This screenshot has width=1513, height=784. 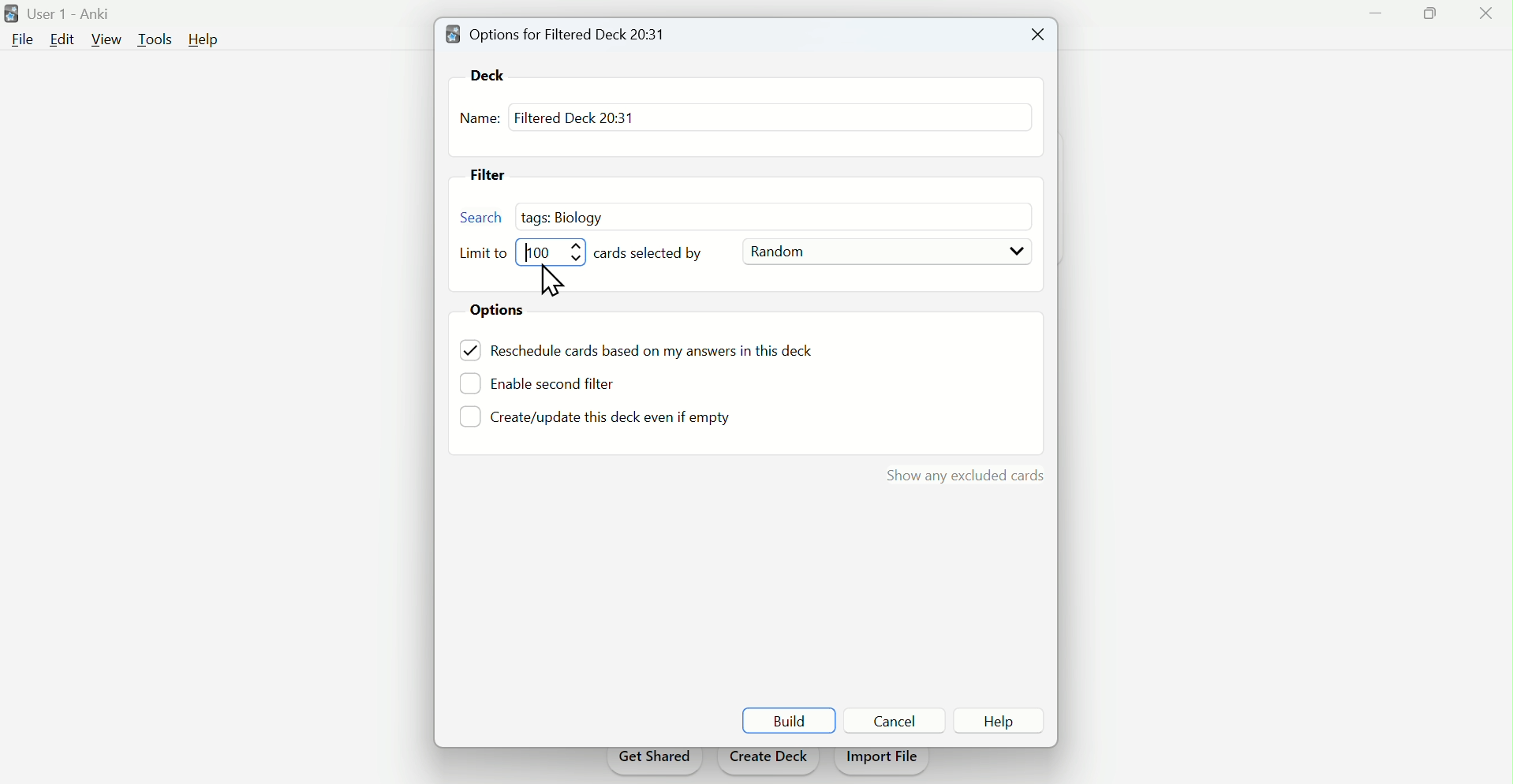 What do you see at coordinates (573, 117) in the screenshot?
I see `Filtered deck 20: 31` at bounding box center [573, 117].